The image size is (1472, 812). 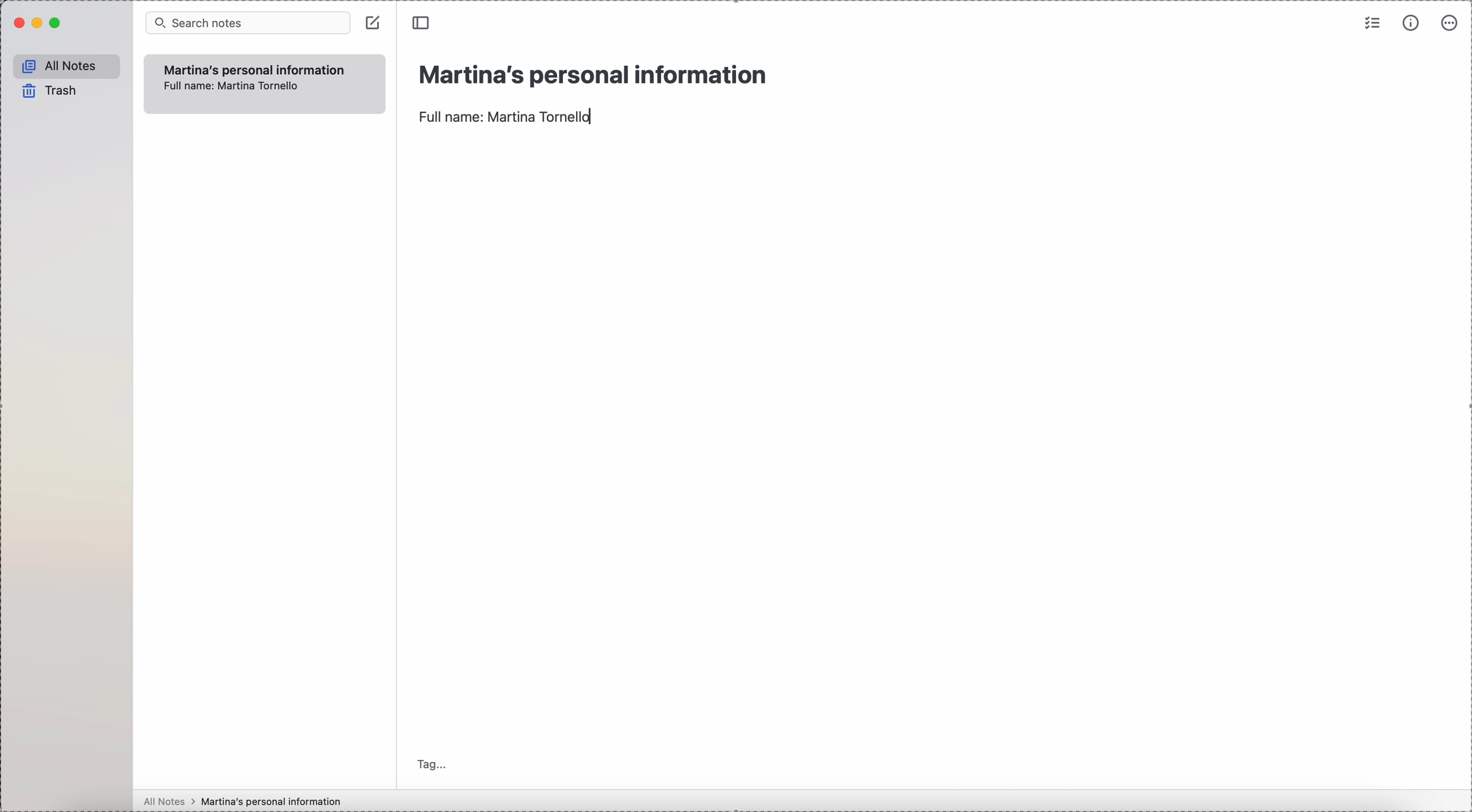 What do you see at coordinates (254, 82) in the screenshot?
I see `Martina's personal information Full name: Martina Tornello` at bounding box center [254, 82].